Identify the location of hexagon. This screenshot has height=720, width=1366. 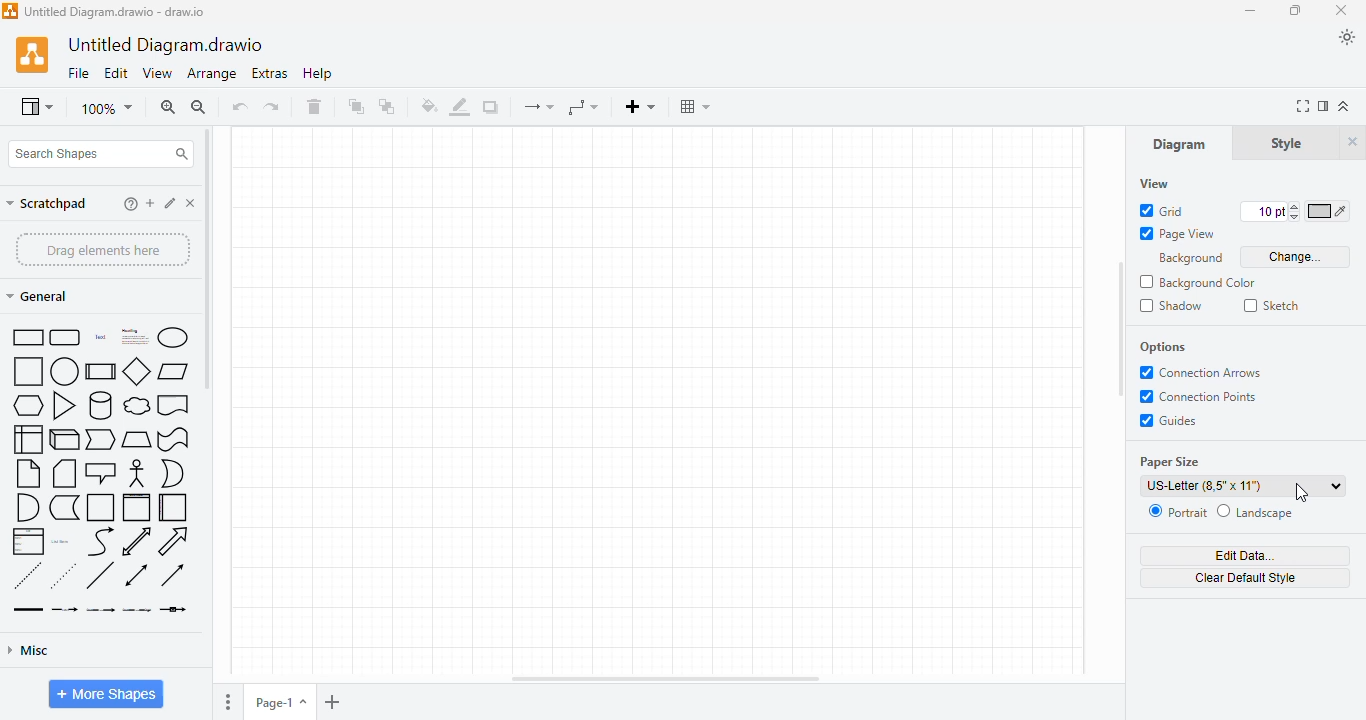
(28, 405).